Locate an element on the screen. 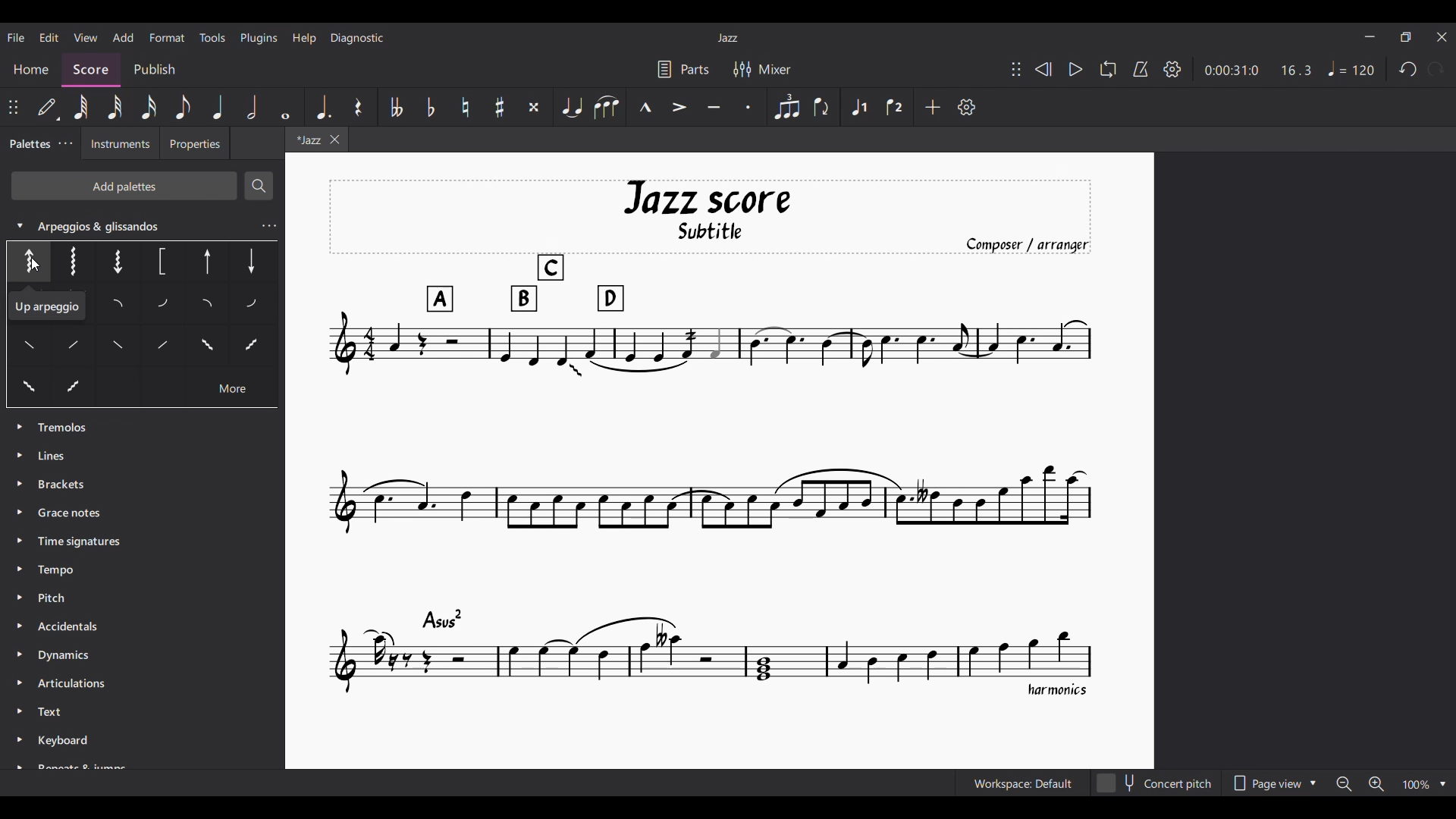  Marcato is located at coordinates (646, 106).